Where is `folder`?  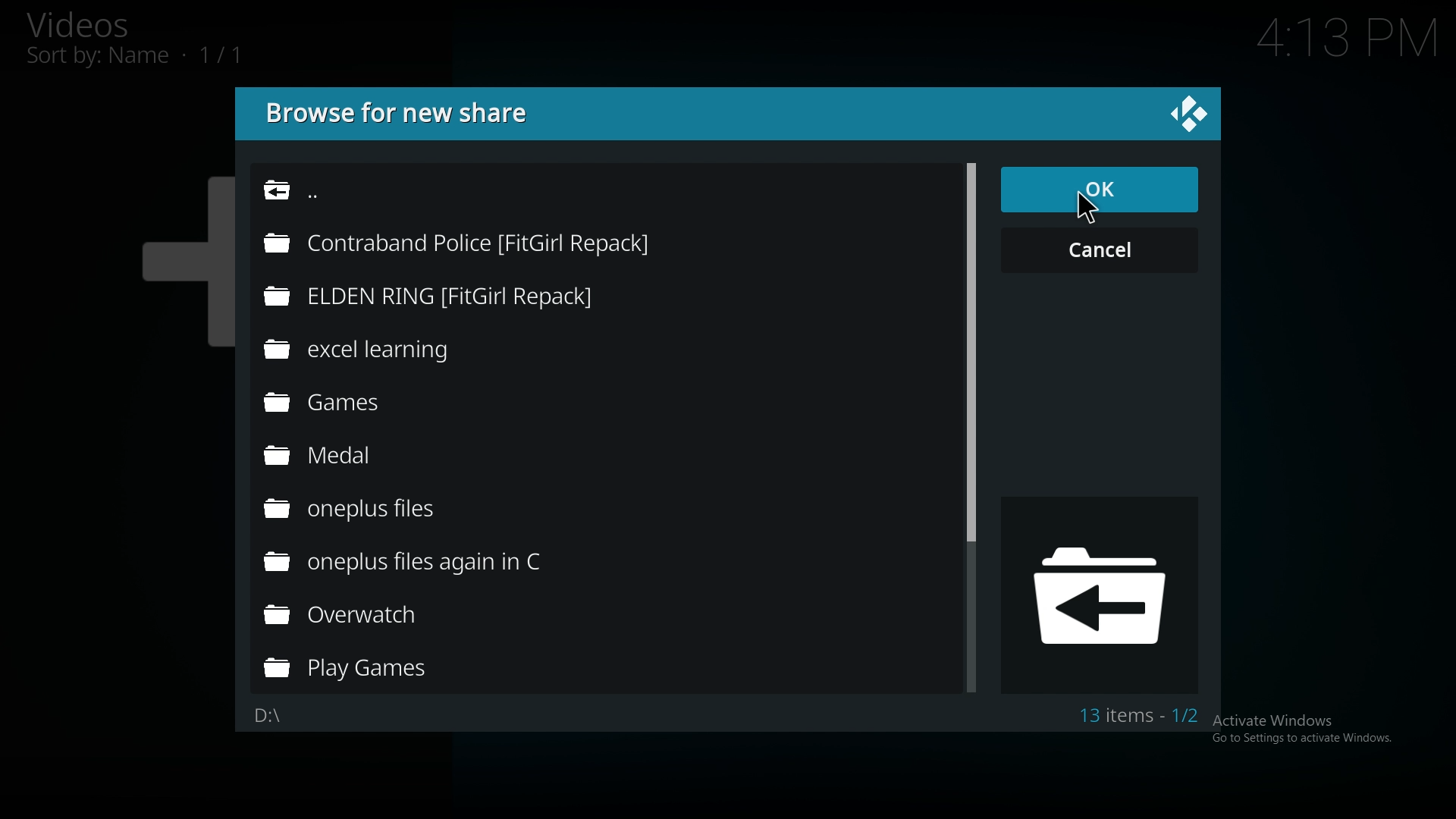
folder is located at coordinates (434, 564).